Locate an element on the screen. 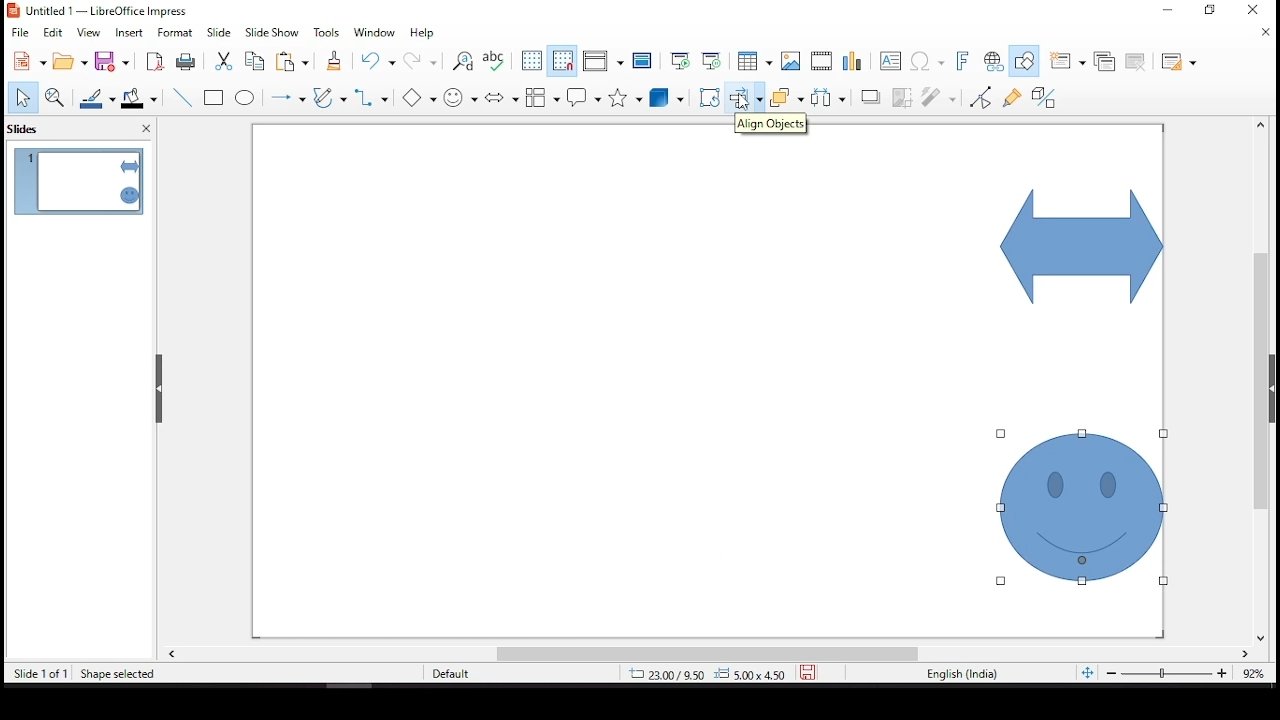  align objects is located at coordinates (743, 98).